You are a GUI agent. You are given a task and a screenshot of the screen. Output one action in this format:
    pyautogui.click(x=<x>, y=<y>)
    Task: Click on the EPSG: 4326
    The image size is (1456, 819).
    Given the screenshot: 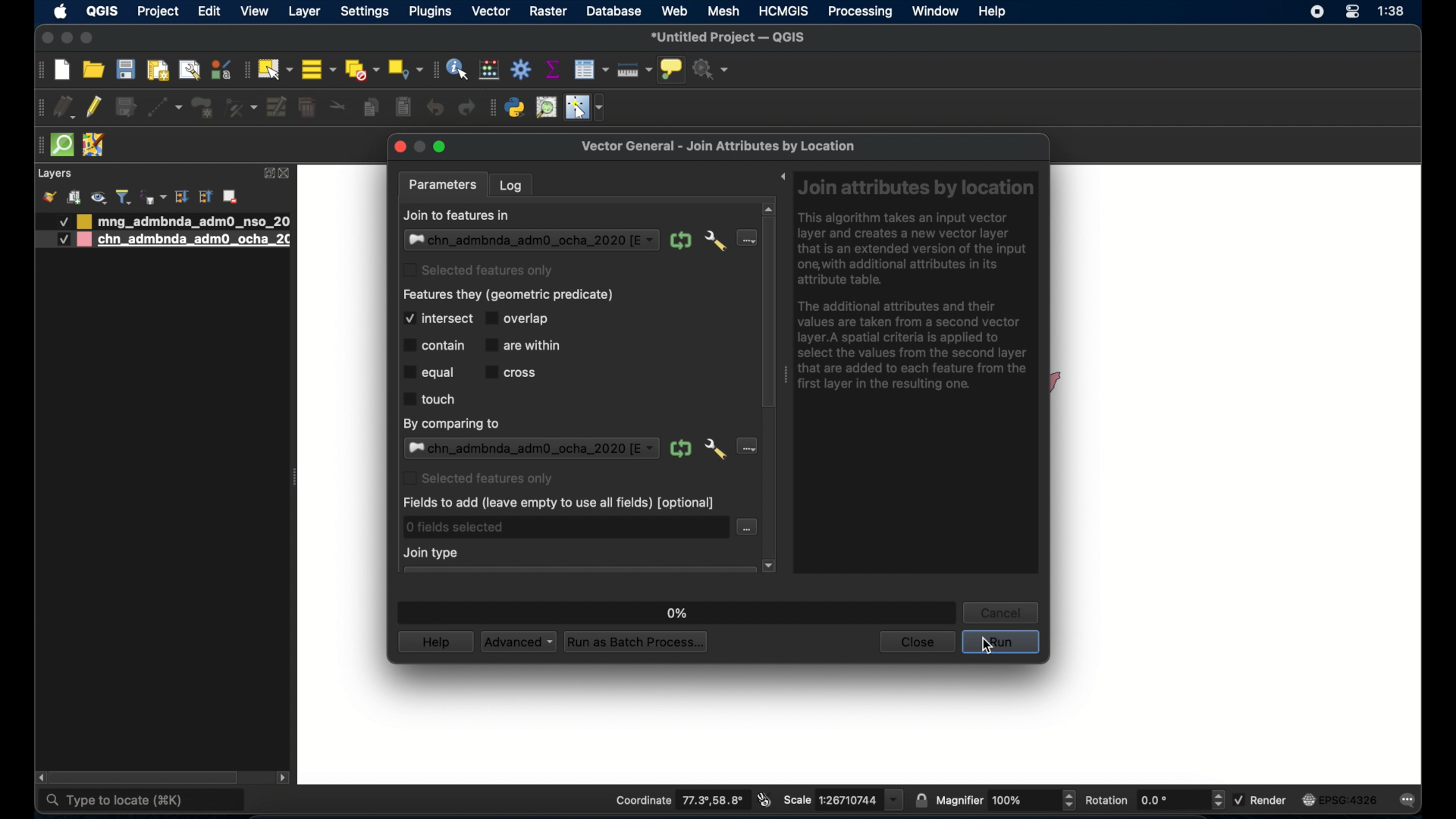 What is the action you would take?
    pyautogui.click(x=1339, y=799)
    